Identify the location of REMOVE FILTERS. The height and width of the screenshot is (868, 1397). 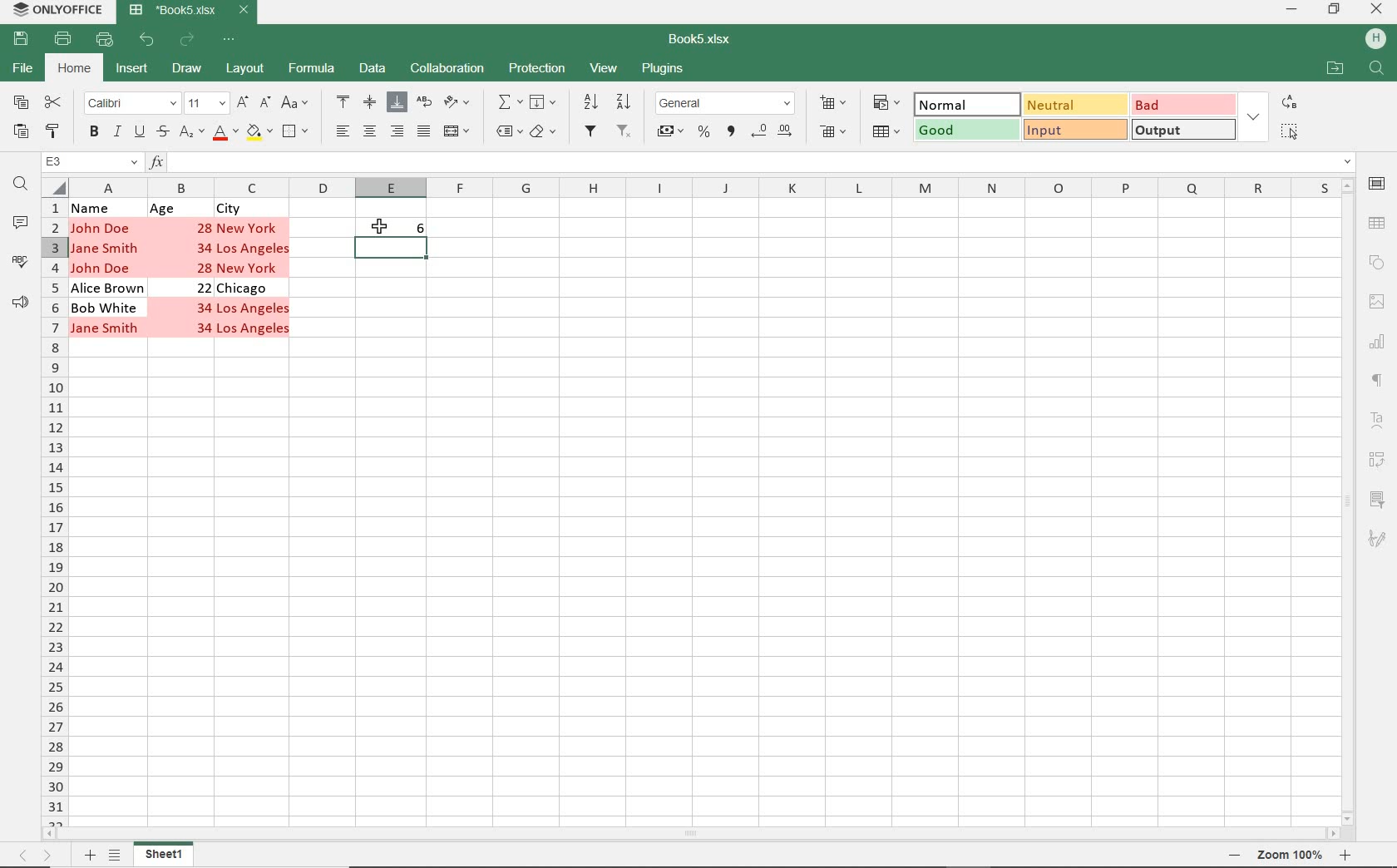
(627, 133).